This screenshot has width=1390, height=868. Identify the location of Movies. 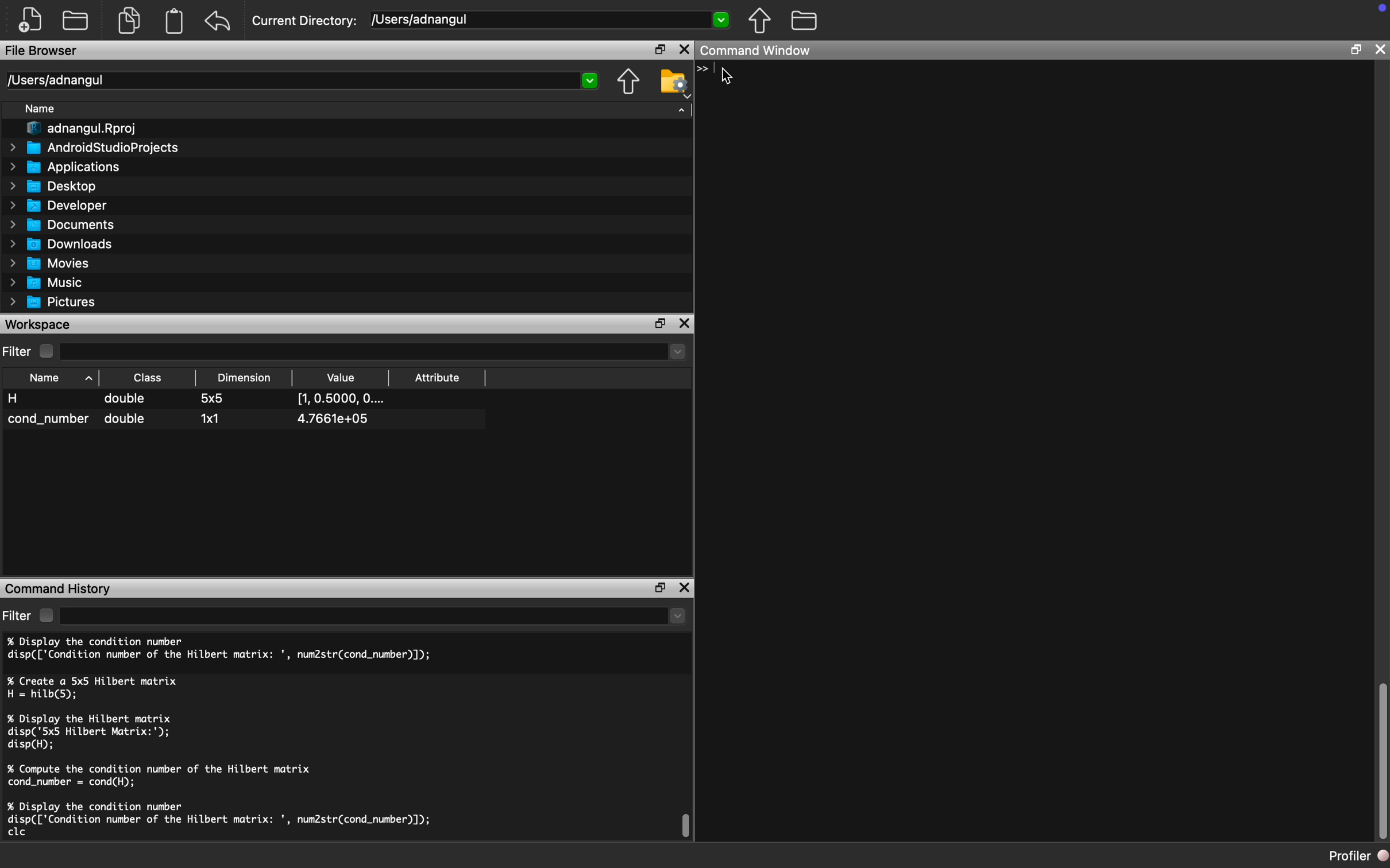
(48, 263).